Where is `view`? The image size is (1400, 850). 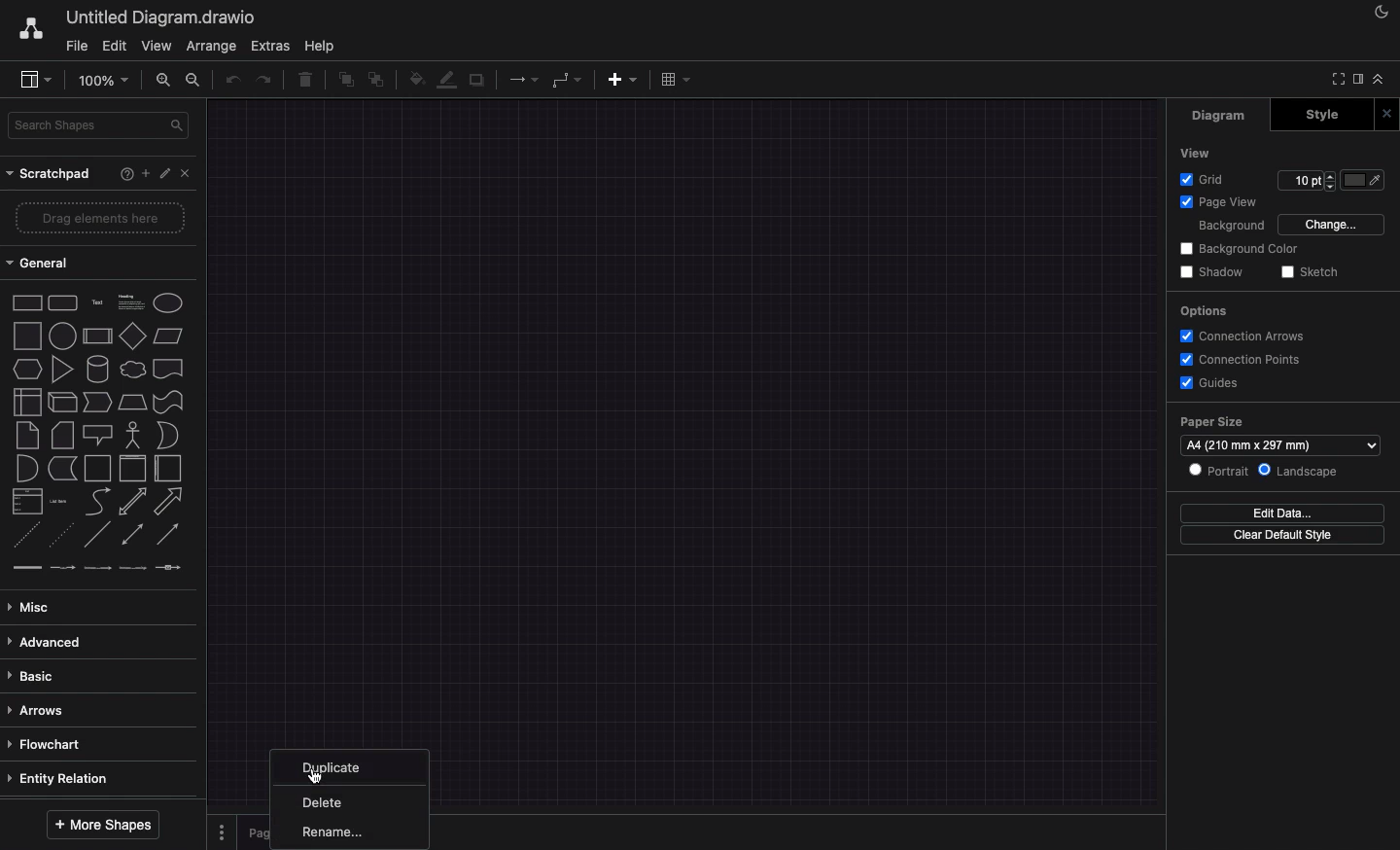
view is located at coordinates (157, 45).